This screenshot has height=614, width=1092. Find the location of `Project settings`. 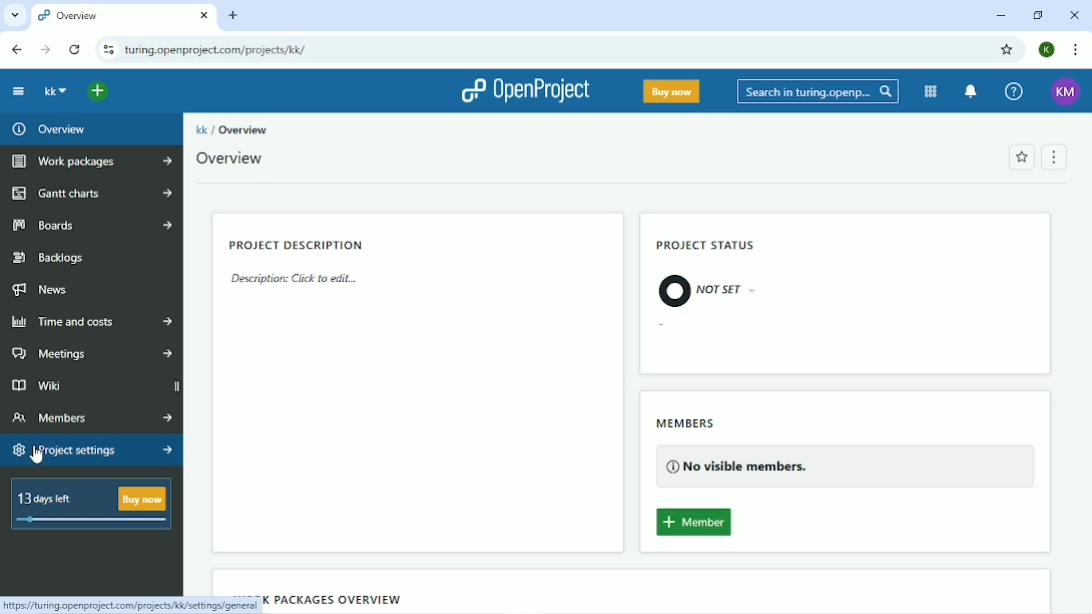

Project settings is located at coordinates (92, 451).